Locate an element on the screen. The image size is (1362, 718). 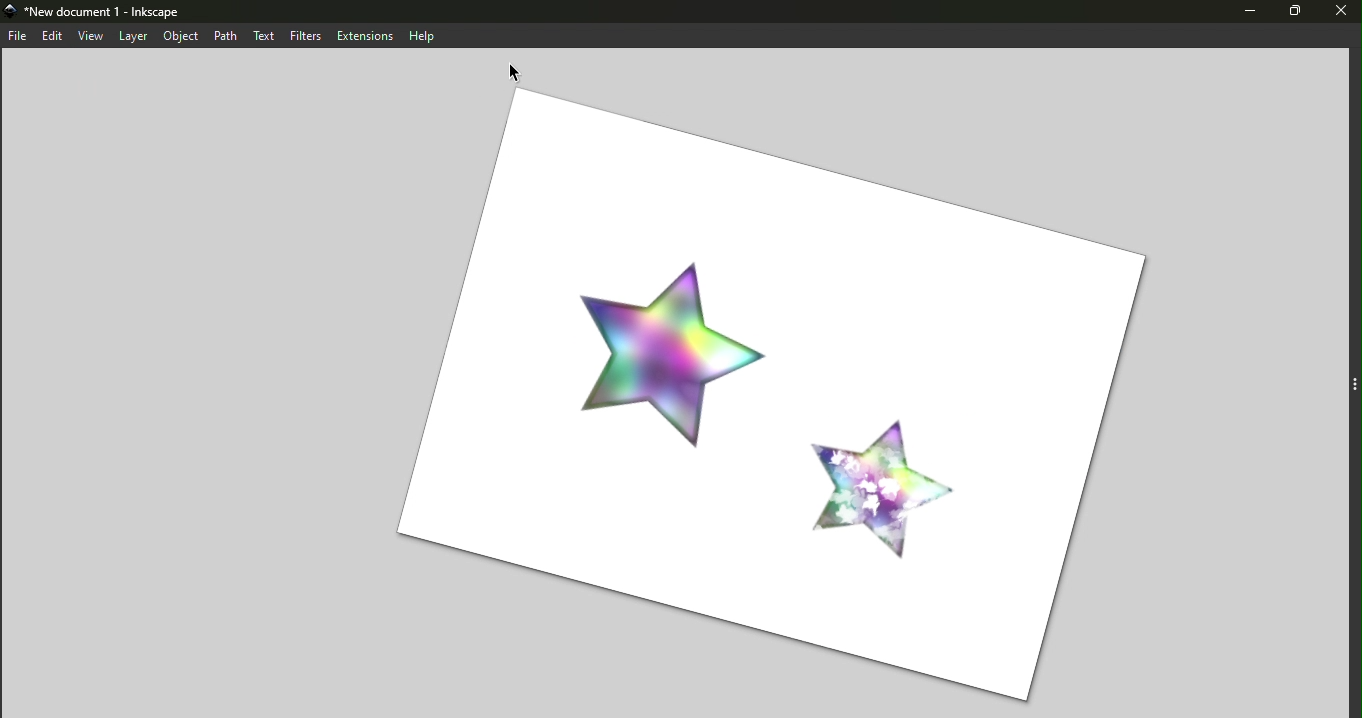
Close is located at coordinates (1339, 13).